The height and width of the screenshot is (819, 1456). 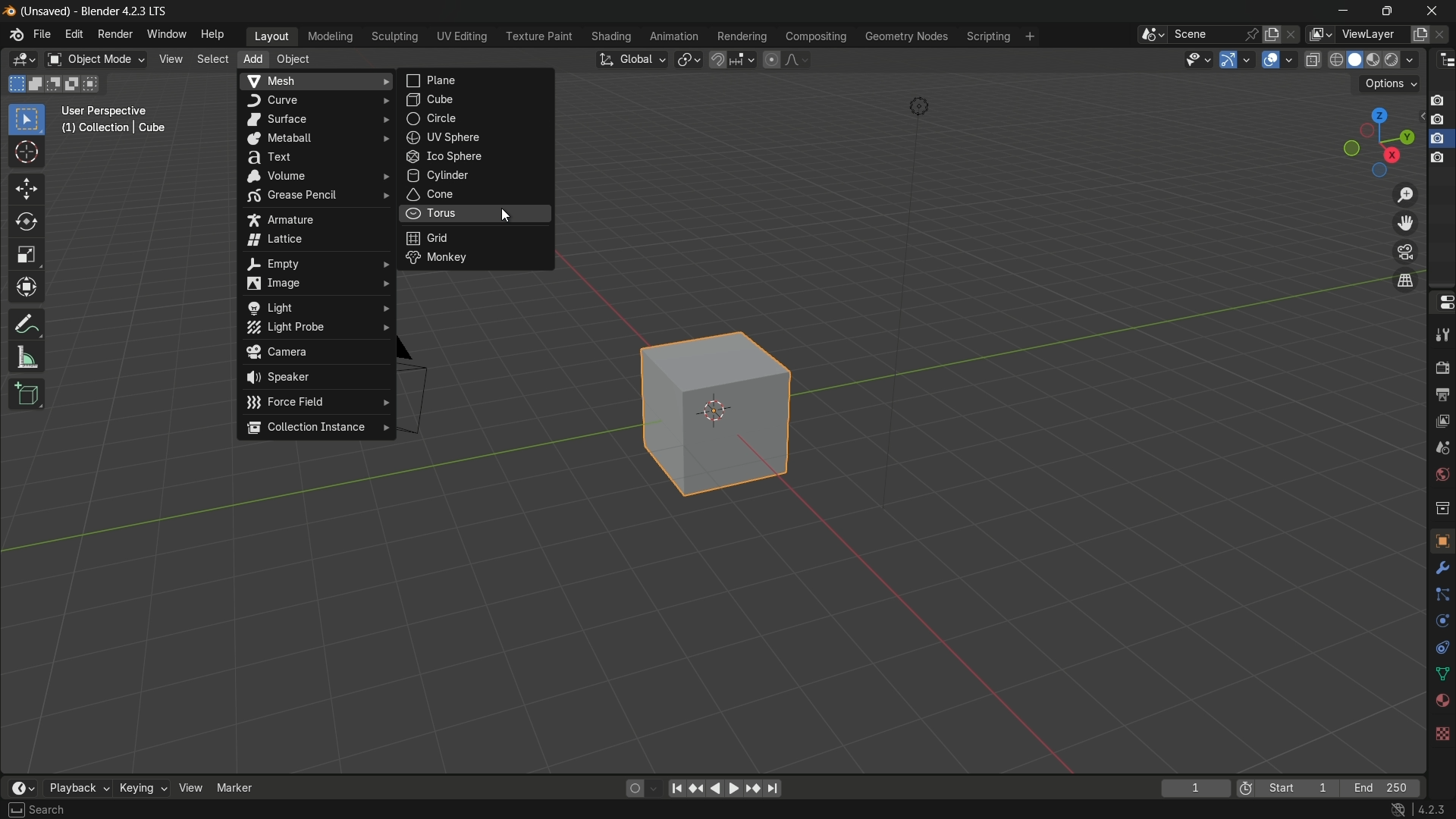 What do you see at coordinates (1439, 568) in the screenshot?
I see `modifier` at bounding box center [1439, 568].